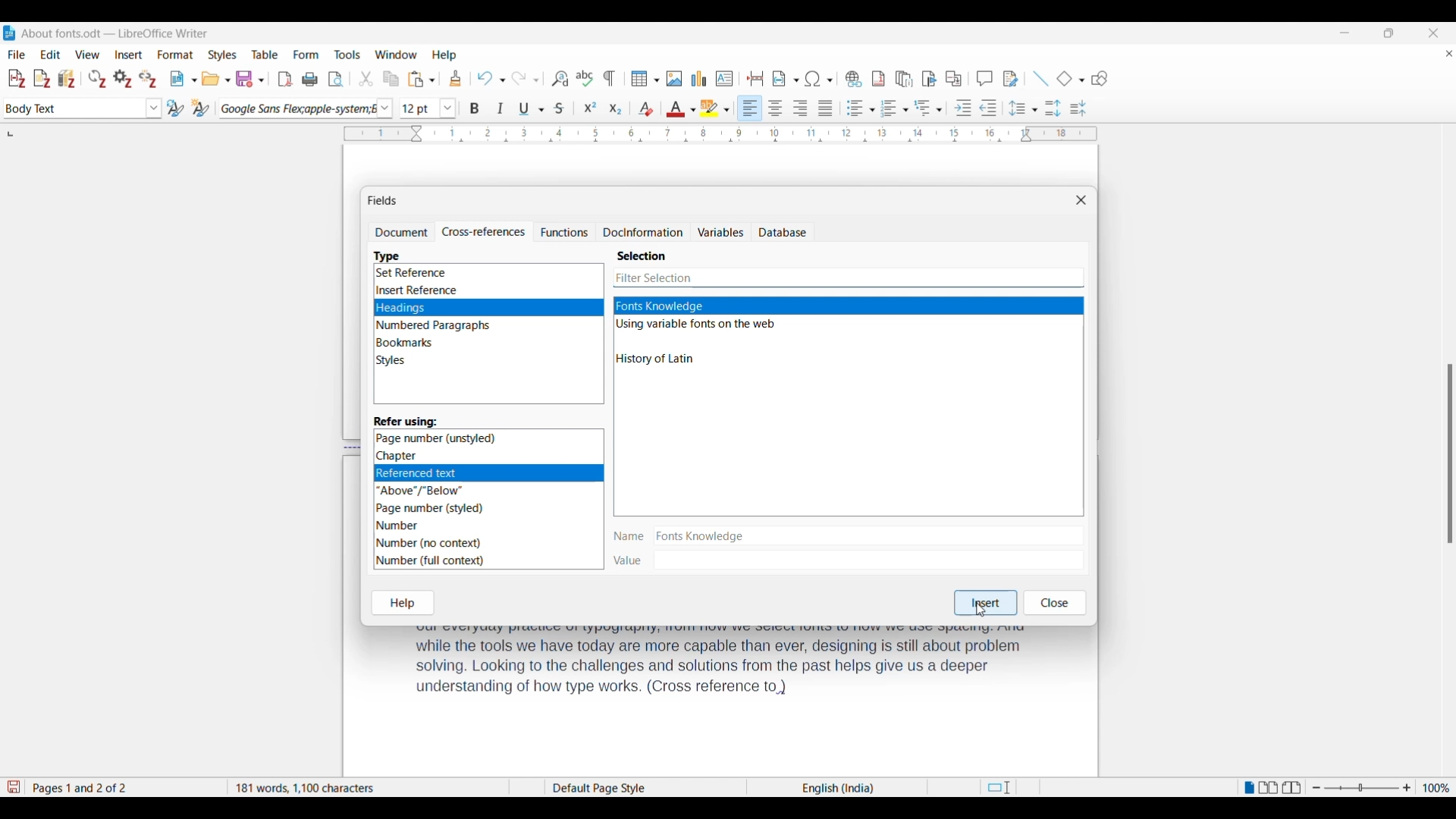 This screenshot has height=819, width=1456. Describe the element at coordinates (394, 362) in the screenshot. I see `Styles` at that location.